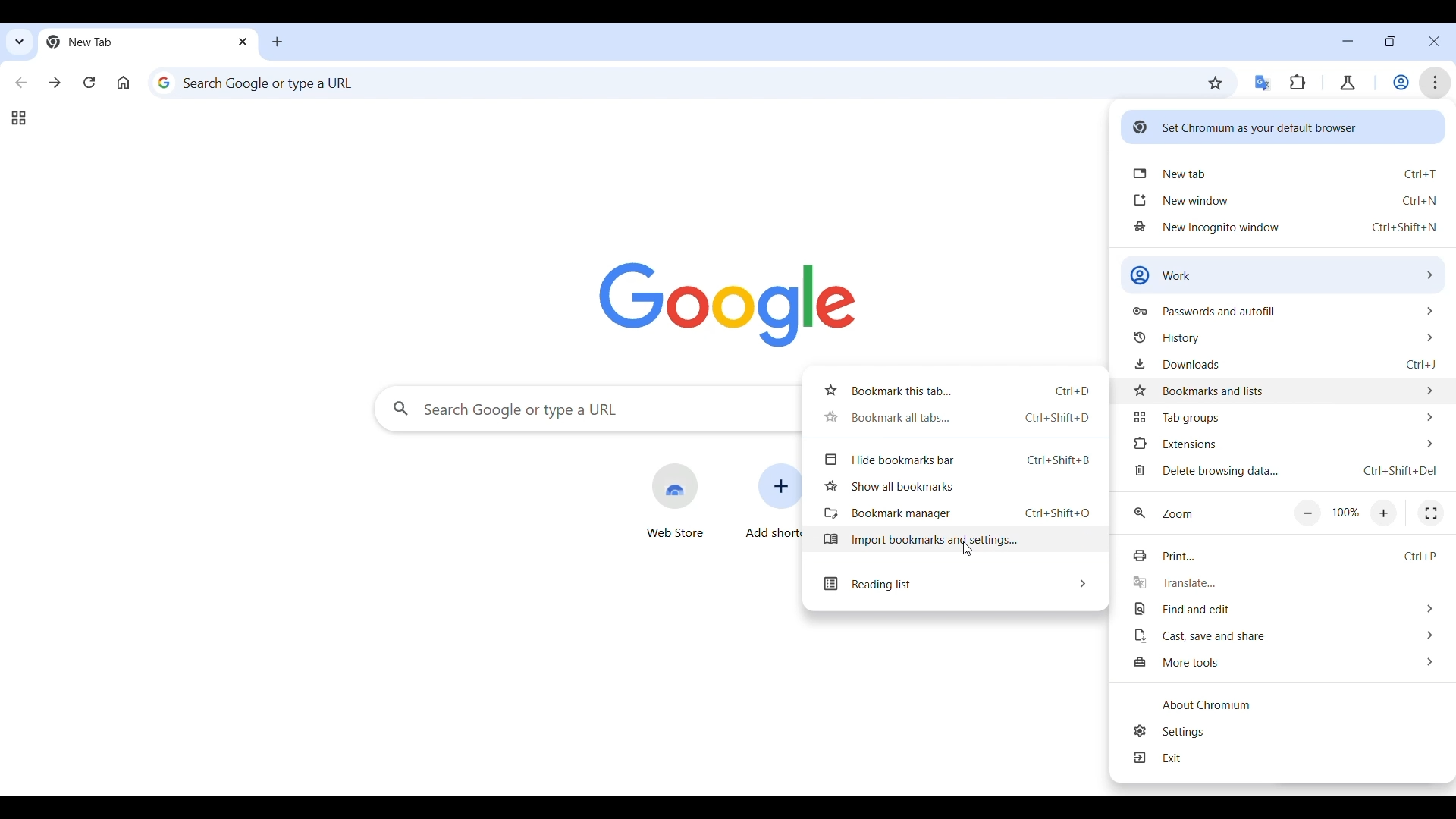 The image size is (1456, 819). I want to click on Fullscreen, so click(1431, 513).